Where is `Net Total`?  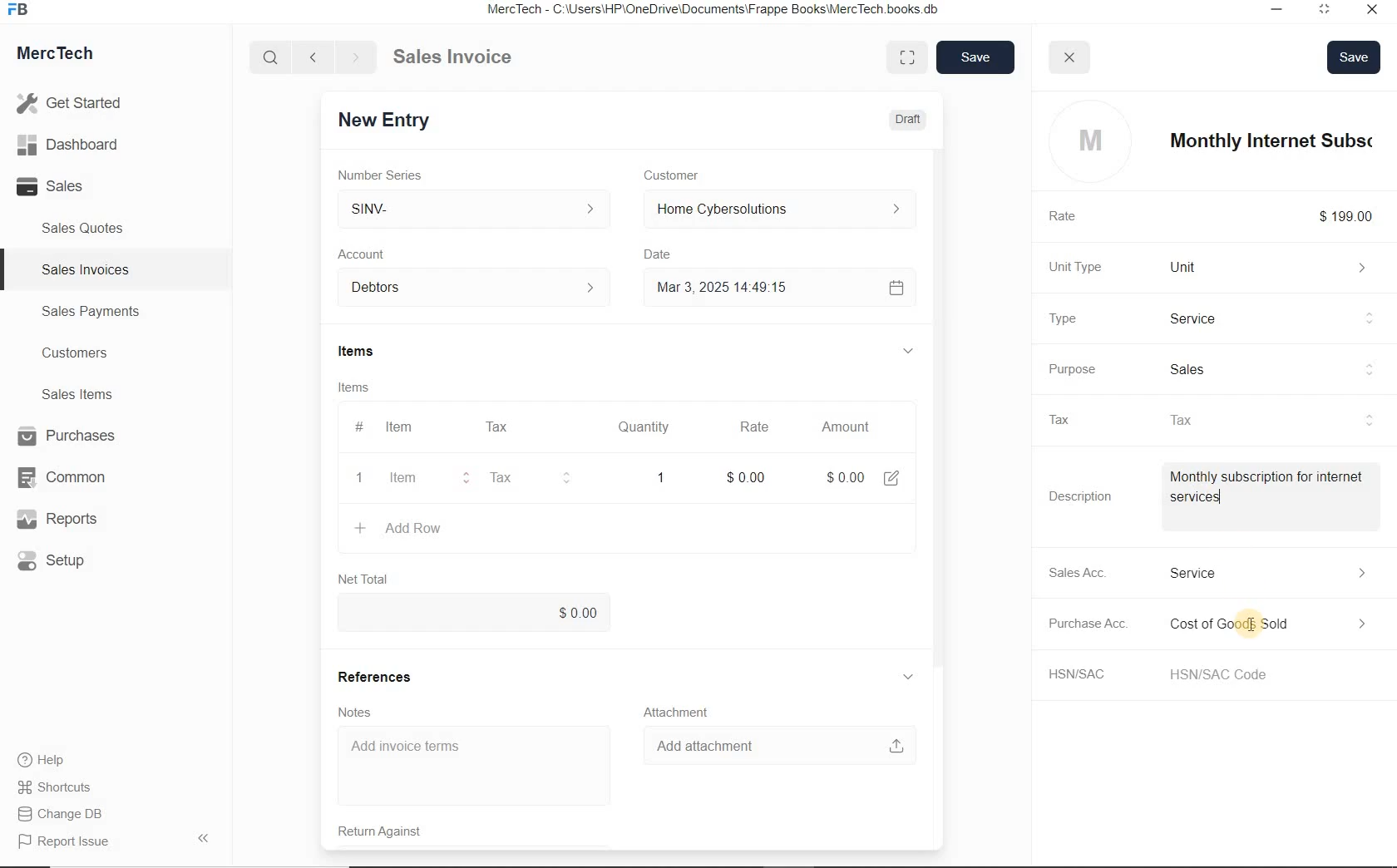
Net Total is located at coordinates (362, 579).